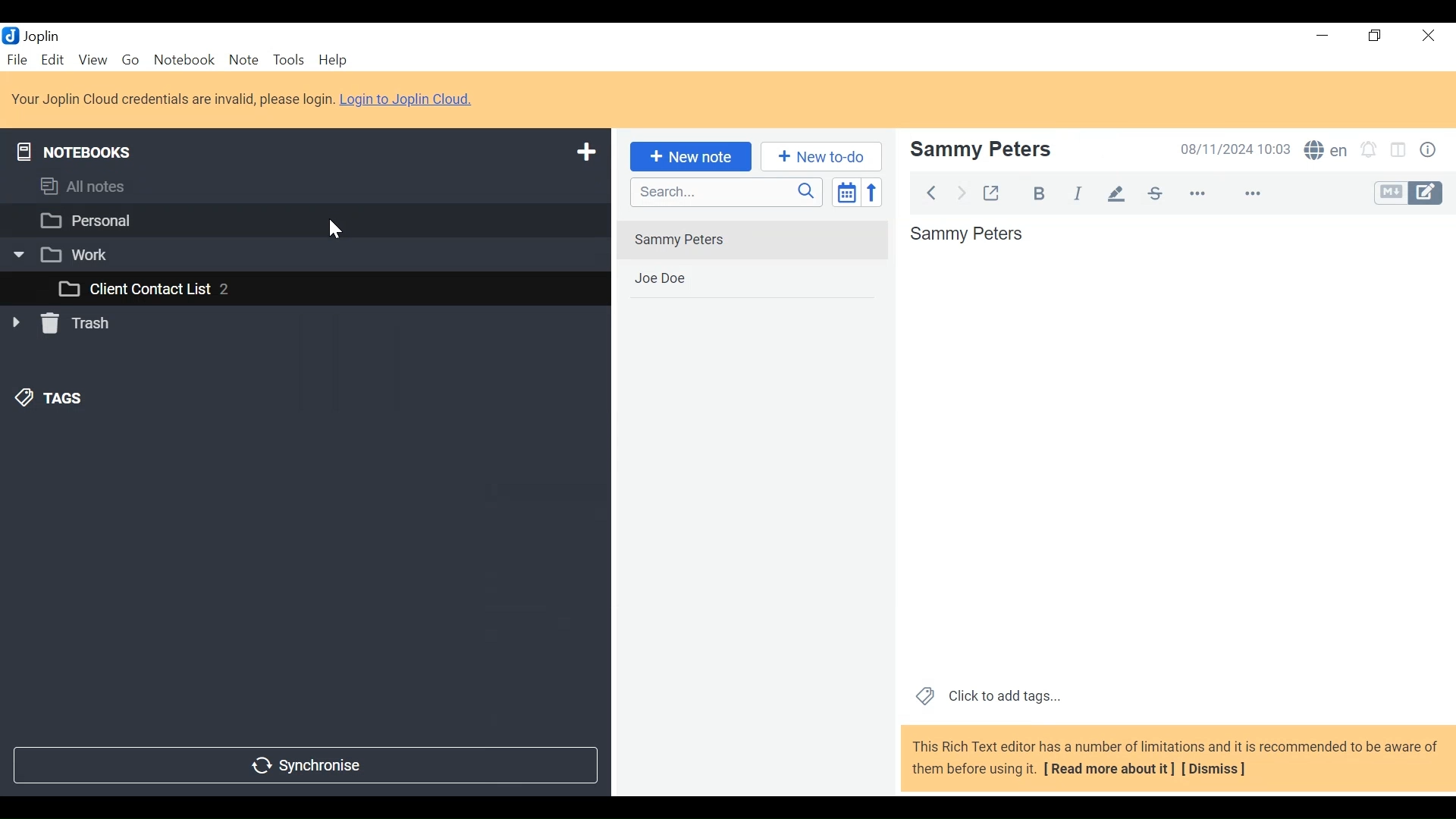 This screenshot has height=819, width=1456. I want to click on S, so click(1326, 151).